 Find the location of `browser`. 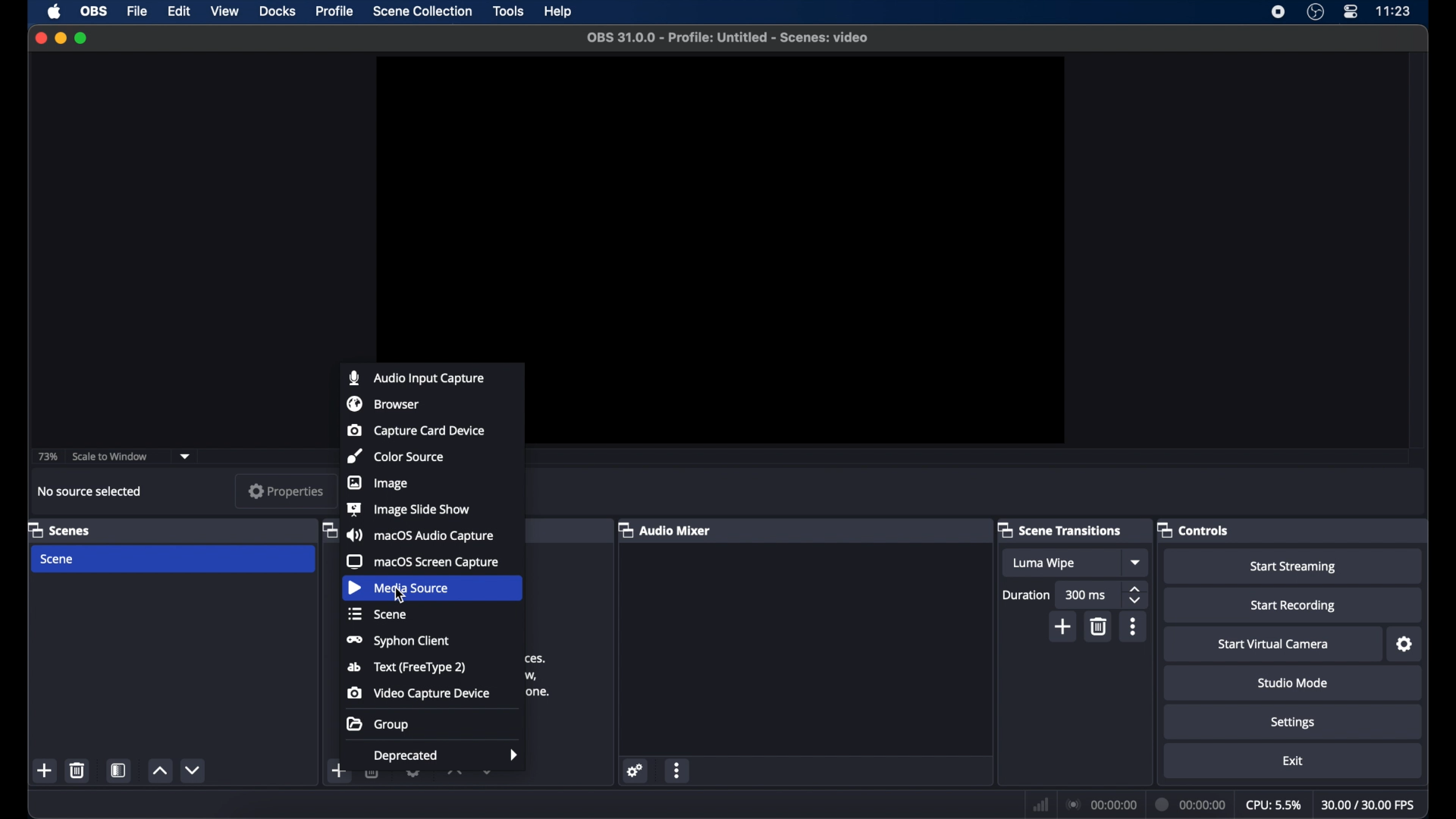

browser is located at coordinates (384, 403).